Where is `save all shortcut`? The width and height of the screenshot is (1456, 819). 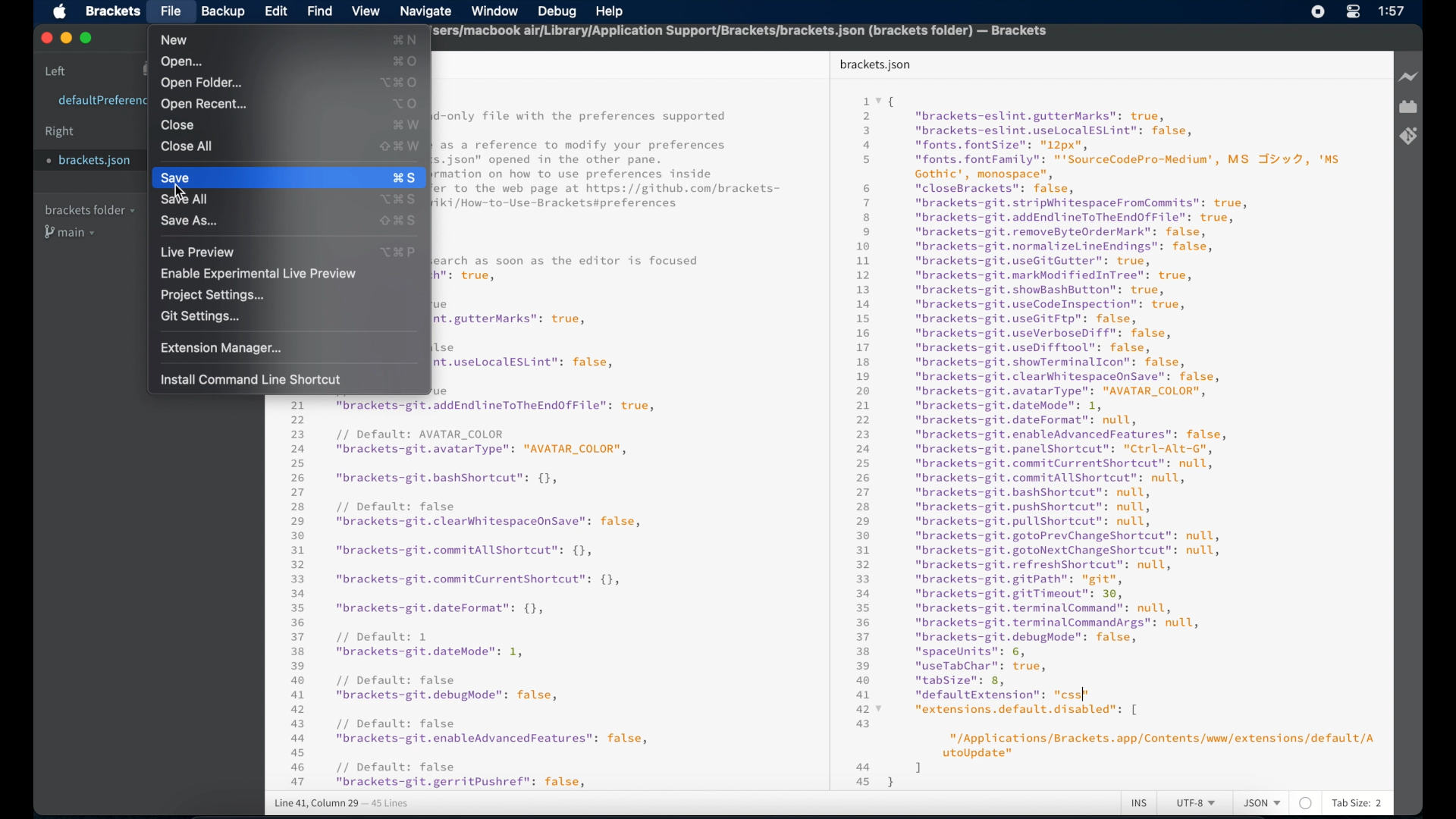 save all shortcut is located at coordinates (398, 199).